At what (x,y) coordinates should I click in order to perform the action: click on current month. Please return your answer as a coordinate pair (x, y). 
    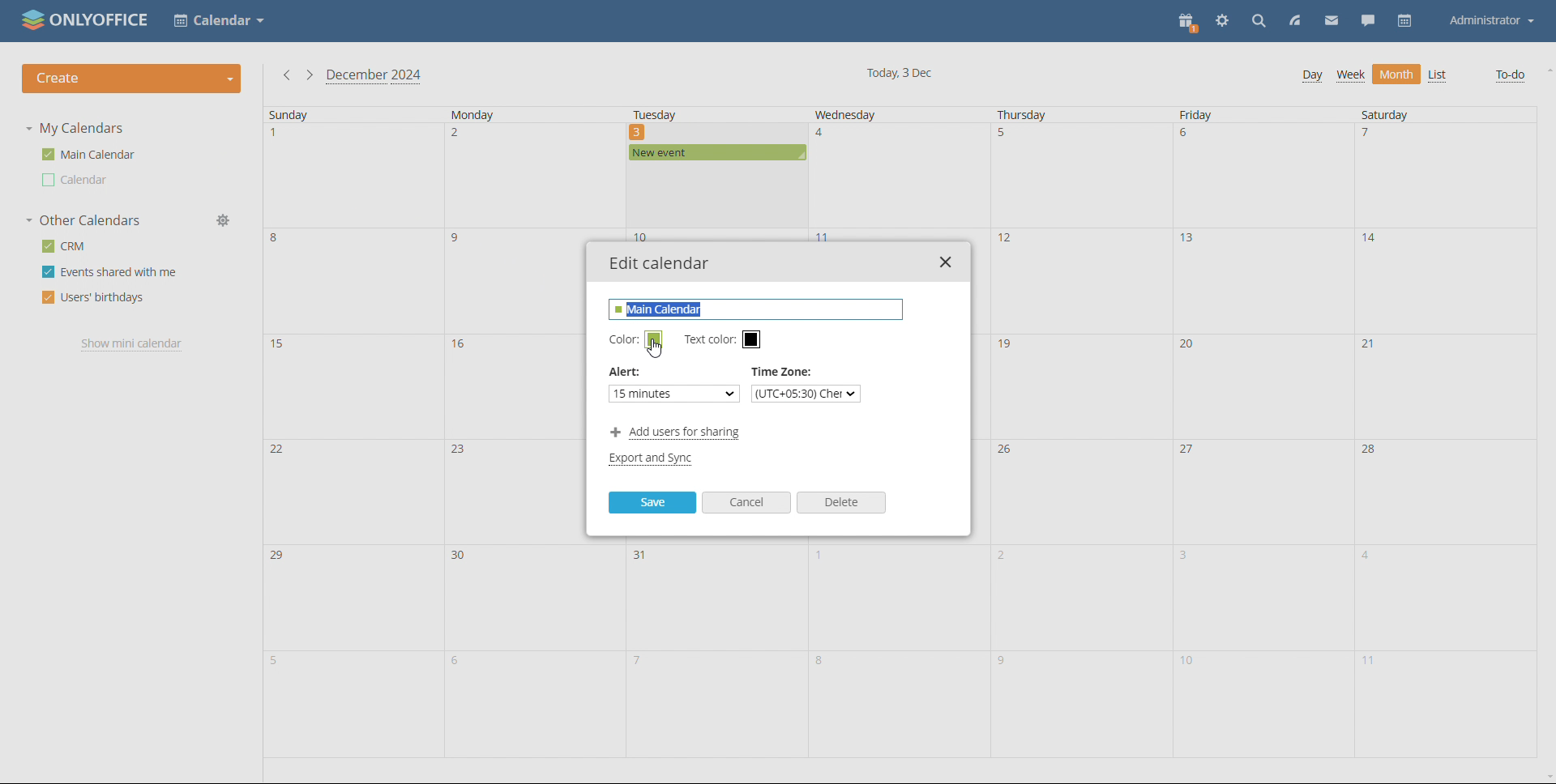
    Looking at the image, I should click on (374, 77).